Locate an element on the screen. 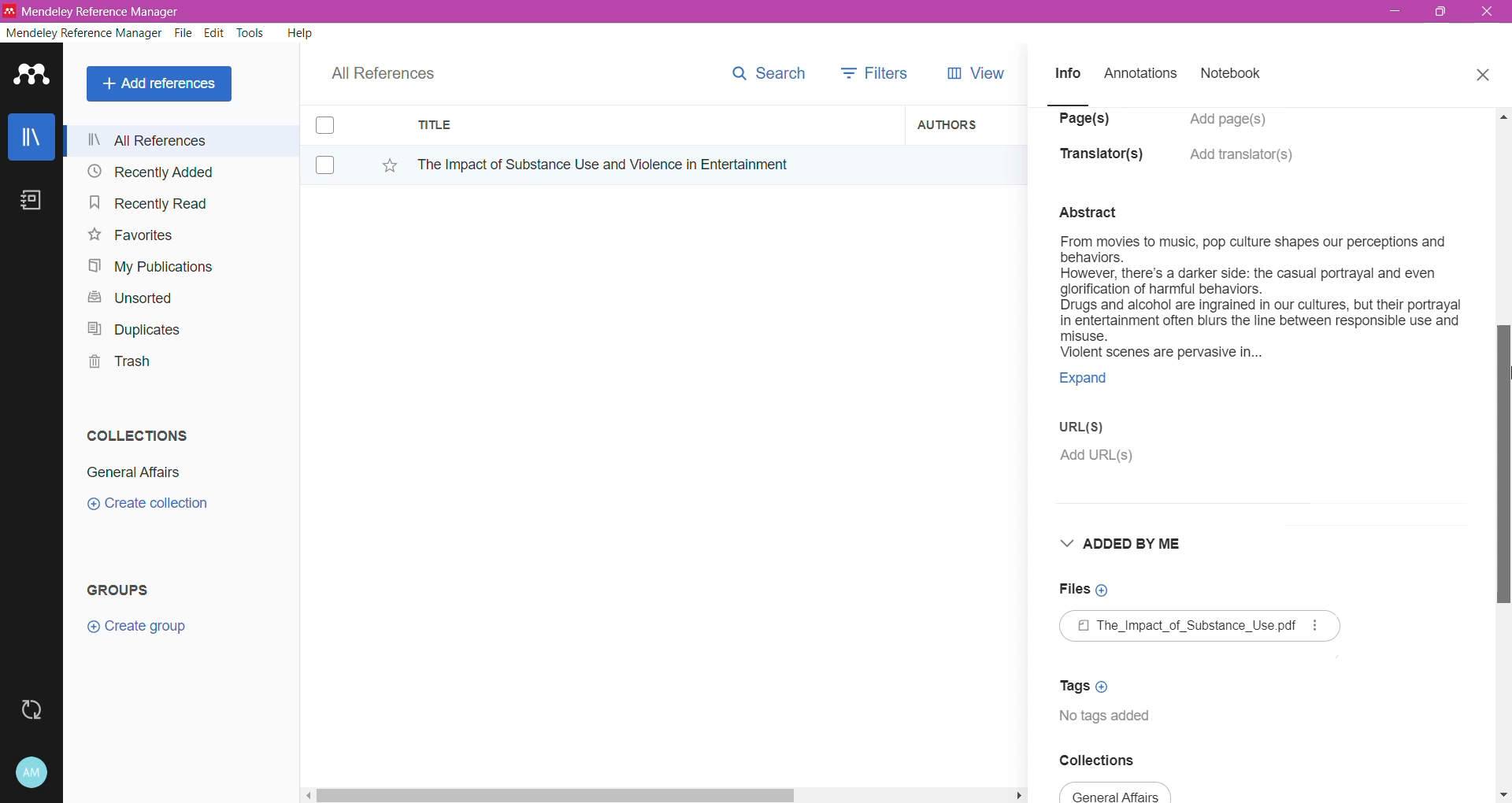  Mendeley Reference Manager is located at coordinates (84, 33).